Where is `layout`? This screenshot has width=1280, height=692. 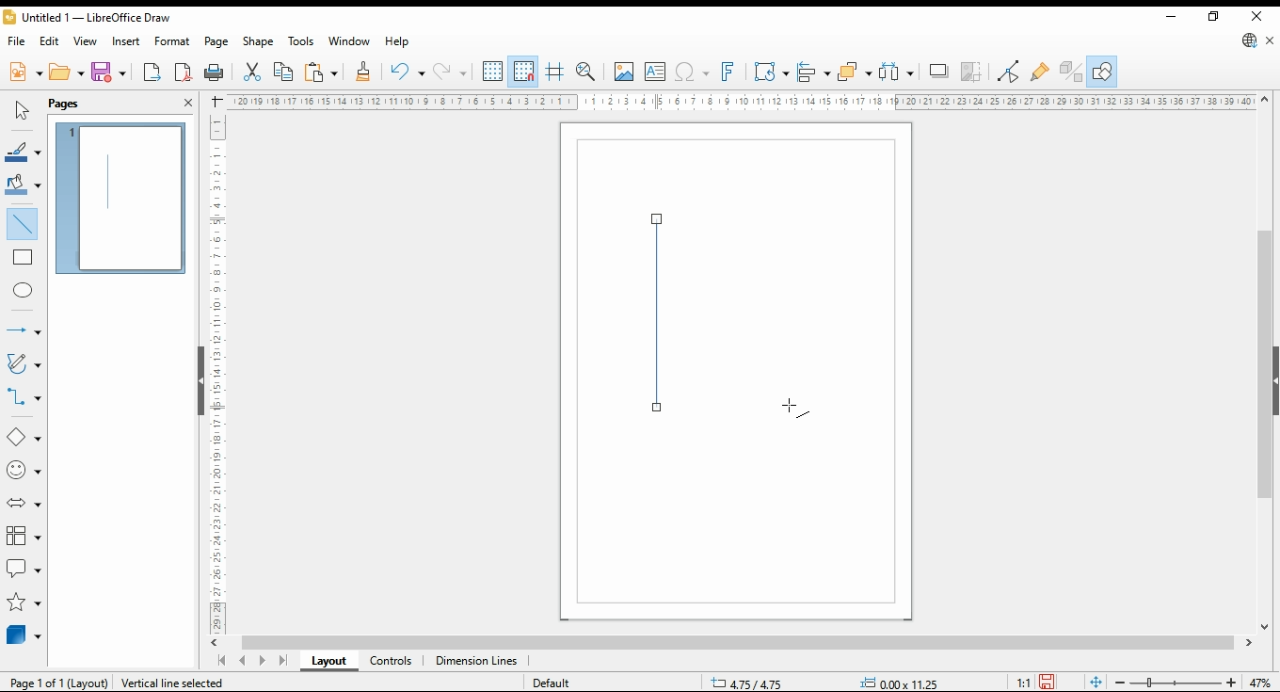 layout is located at coordinates (328, 662).